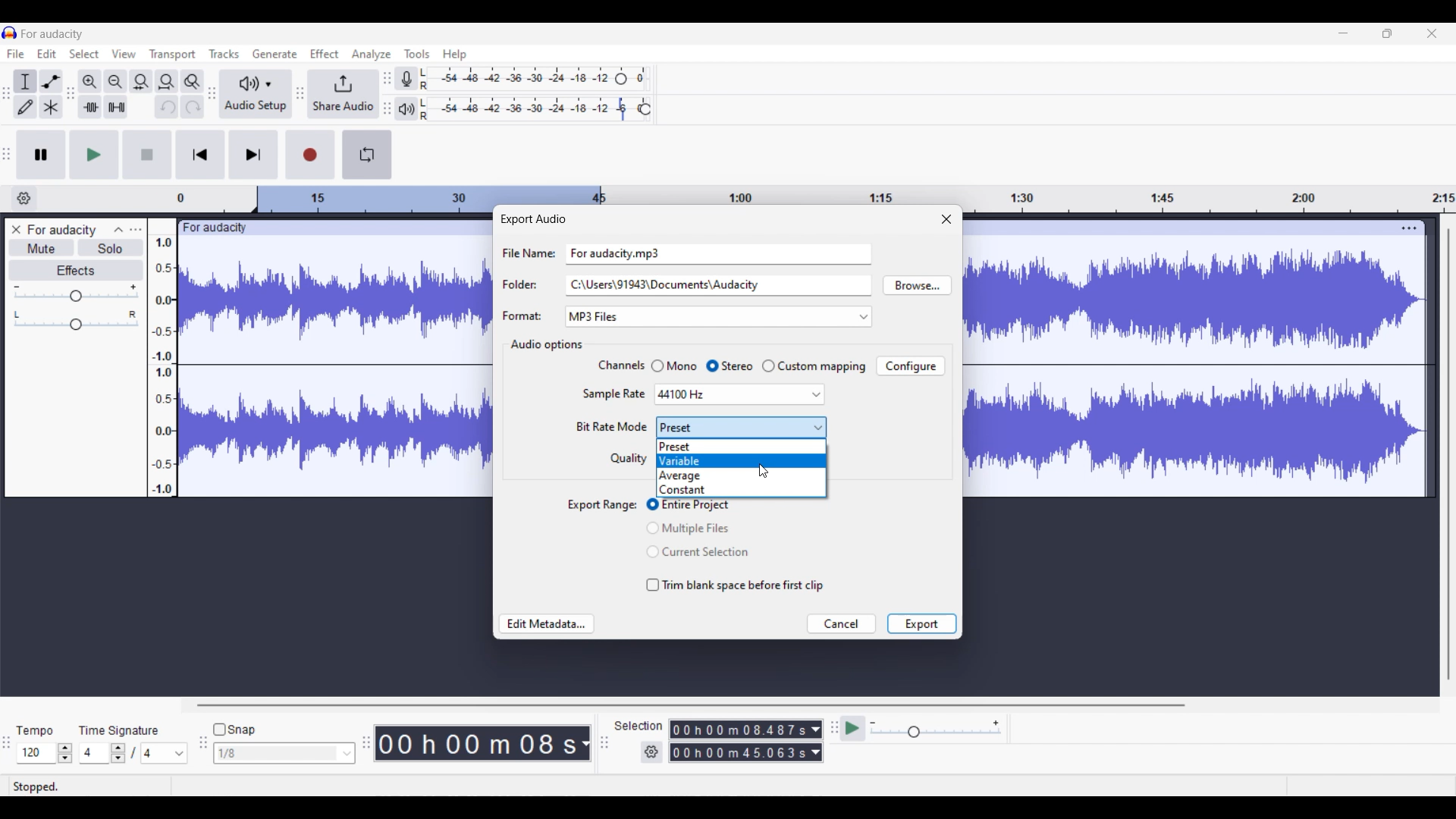 This screenshot has height=819, width=1456. What do you see at coordinates (63, 230) in the screenshot?
I see `Track name - For audacity` at bounding box center [63, 230].